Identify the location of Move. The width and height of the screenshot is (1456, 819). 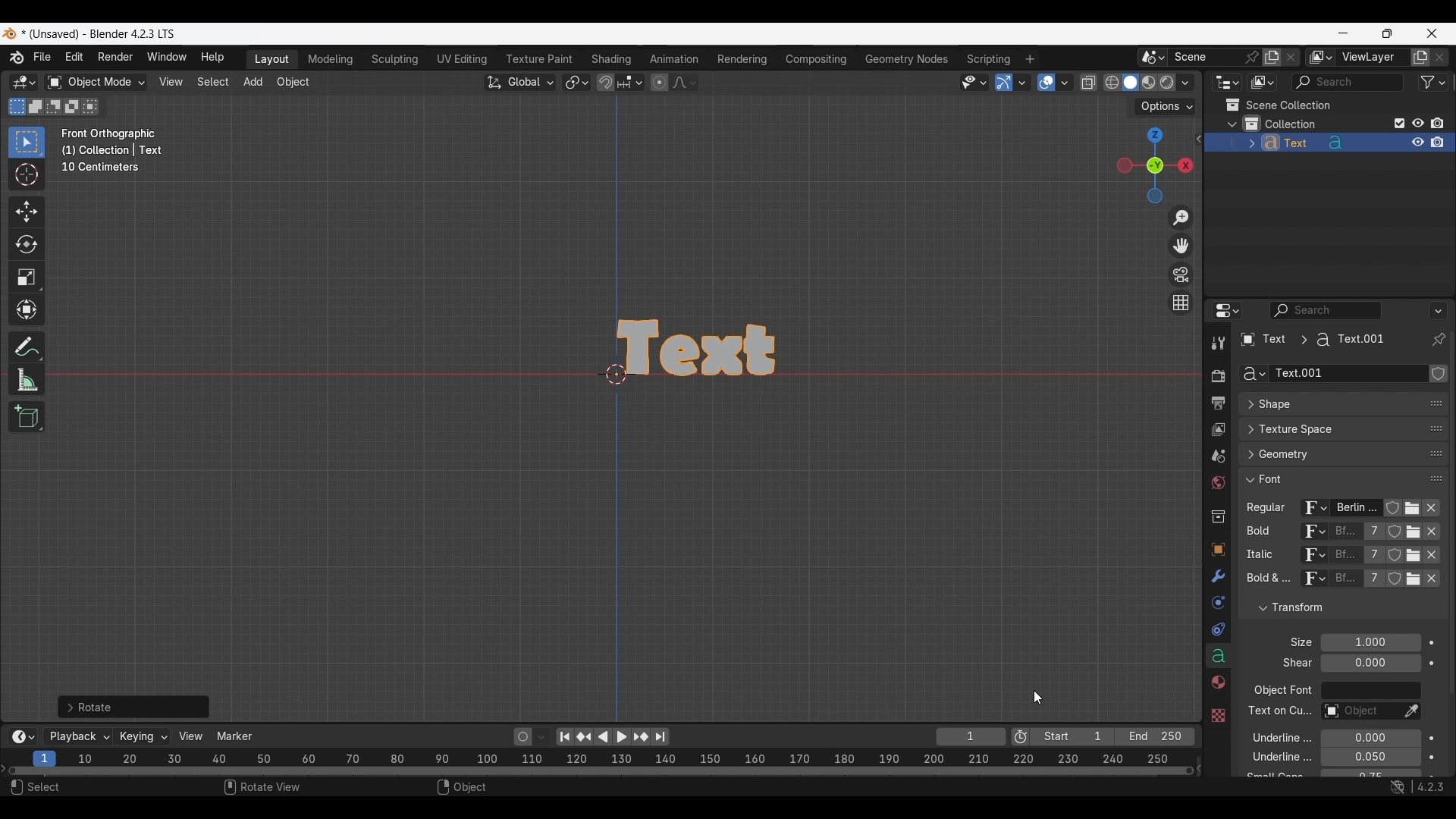
(27, 212).